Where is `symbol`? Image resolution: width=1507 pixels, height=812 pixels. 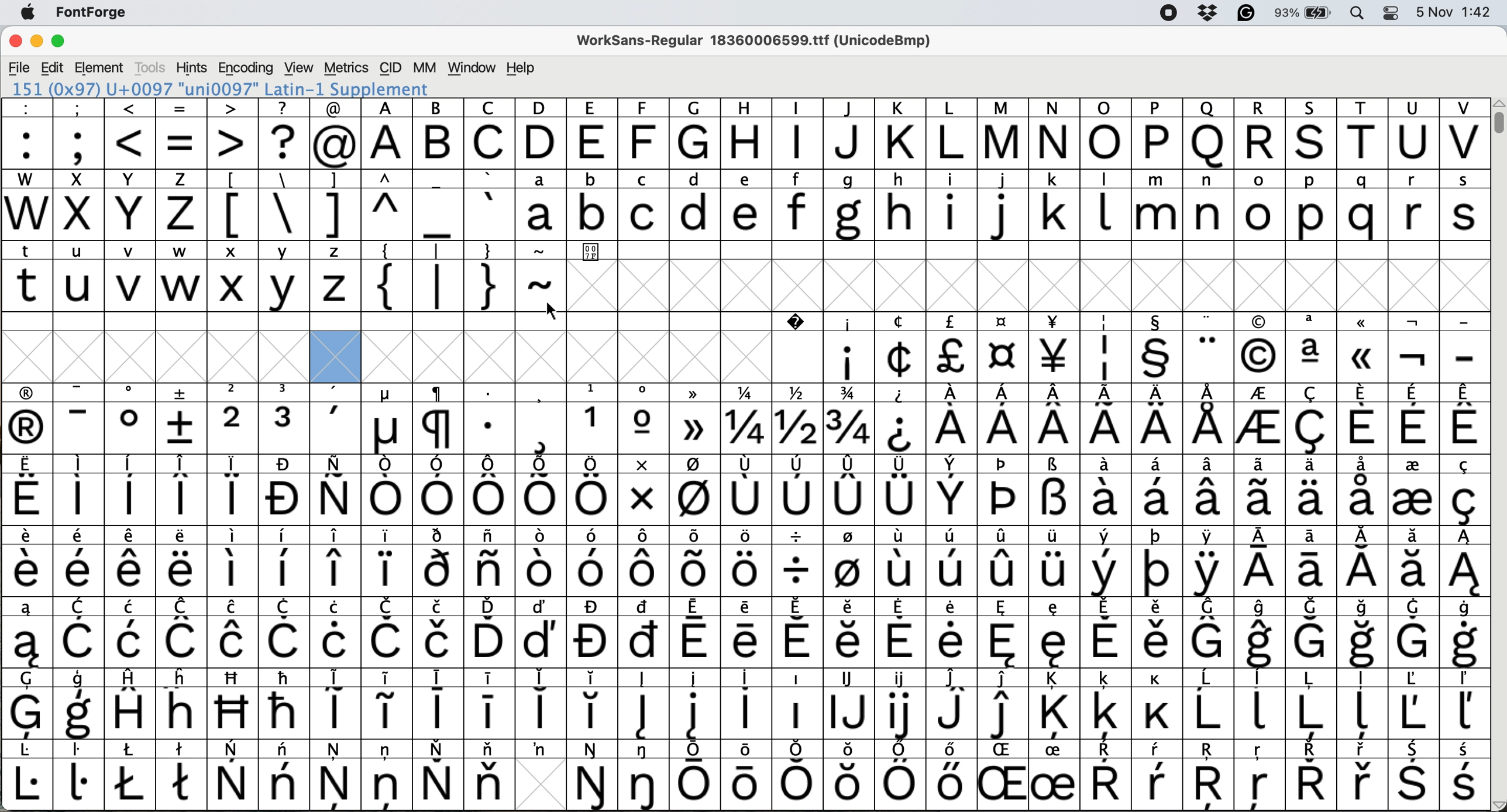
symbol is located at coordinates (79, 774).